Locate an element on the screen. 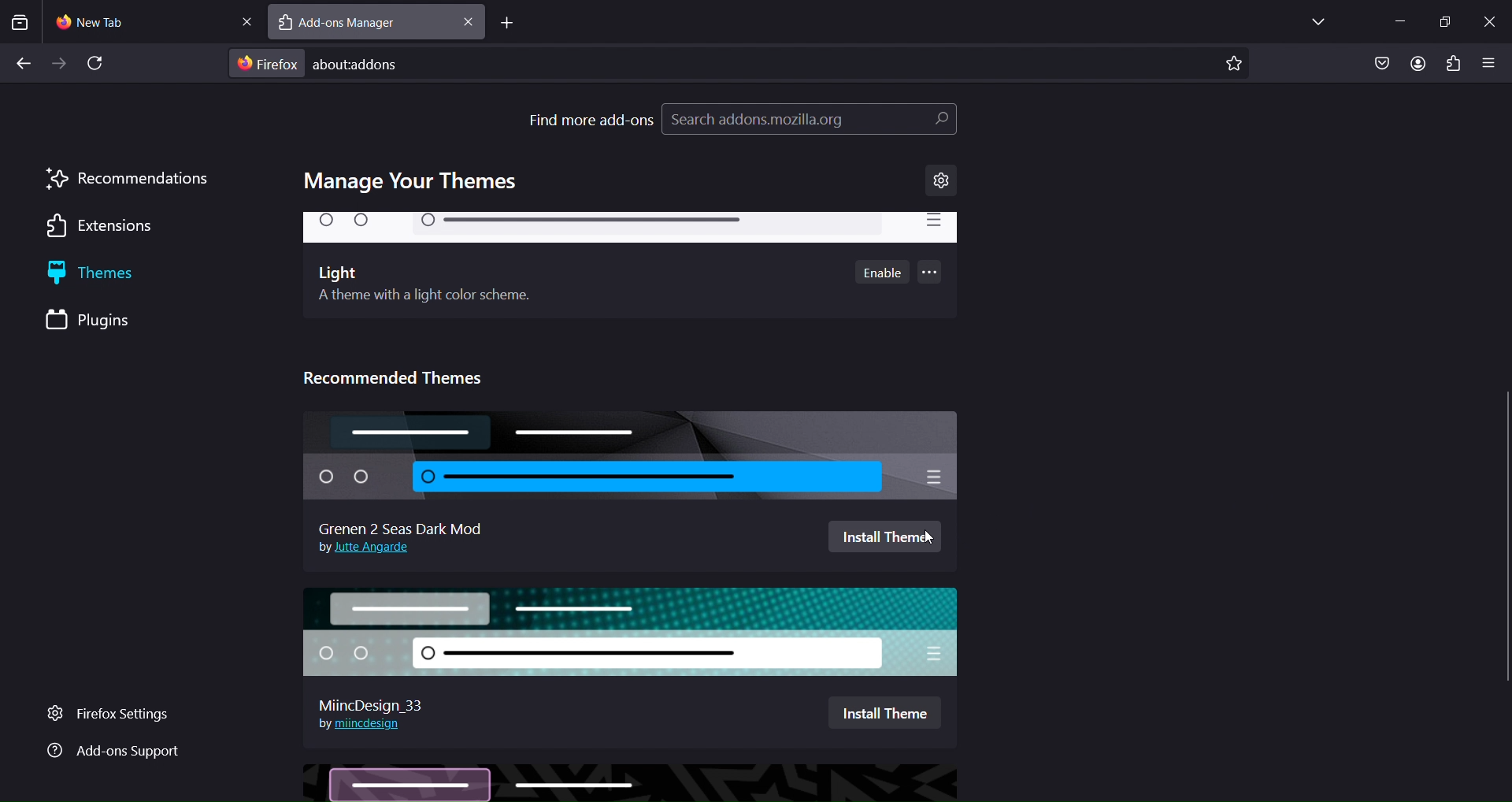 The width and height of the screenshot is (1512, 802). settings is located at coordinates (942, 181).